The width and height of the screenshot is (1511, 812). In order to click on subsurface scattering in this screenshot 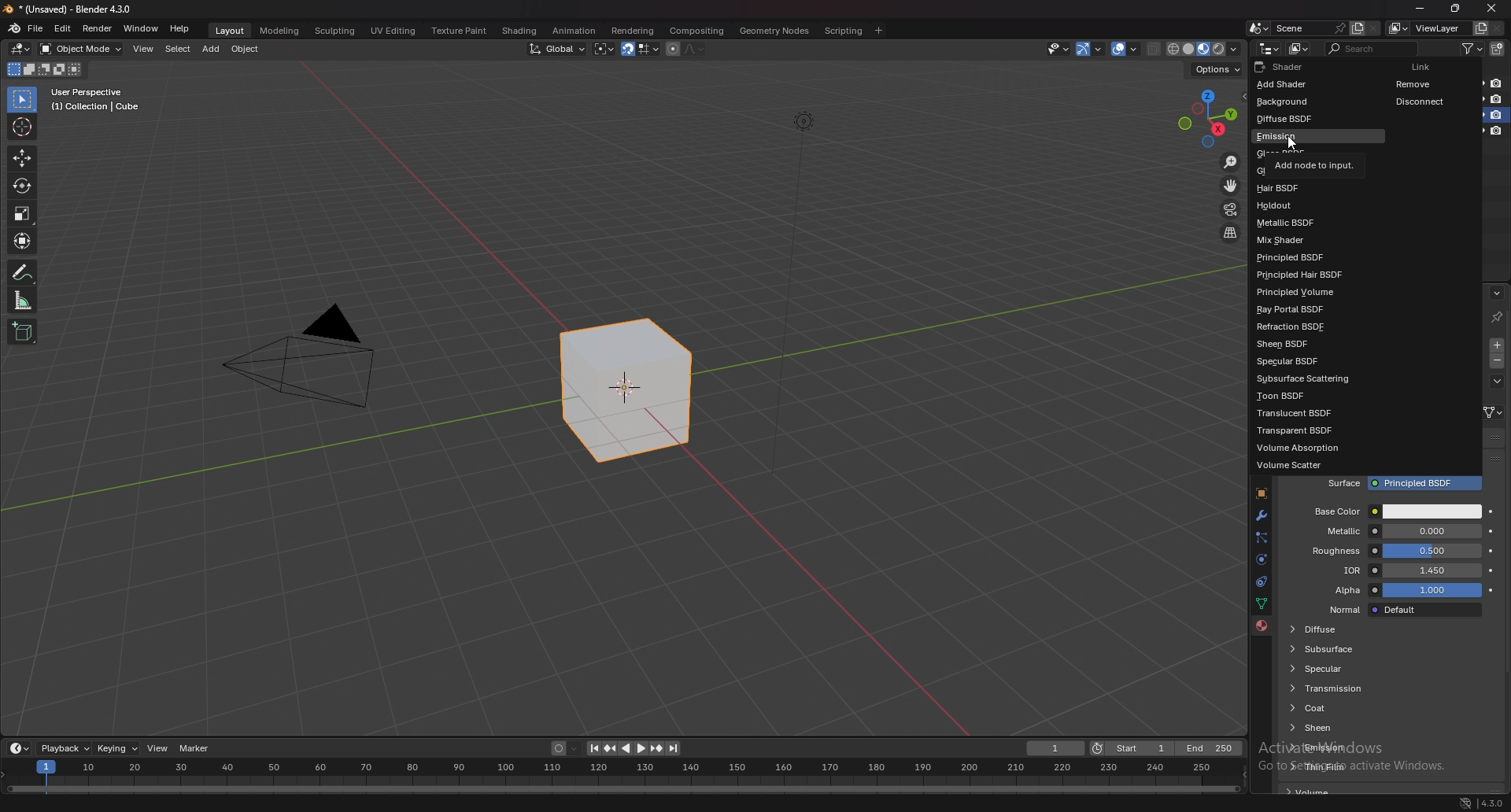, I will do `click(1310, 378)`.